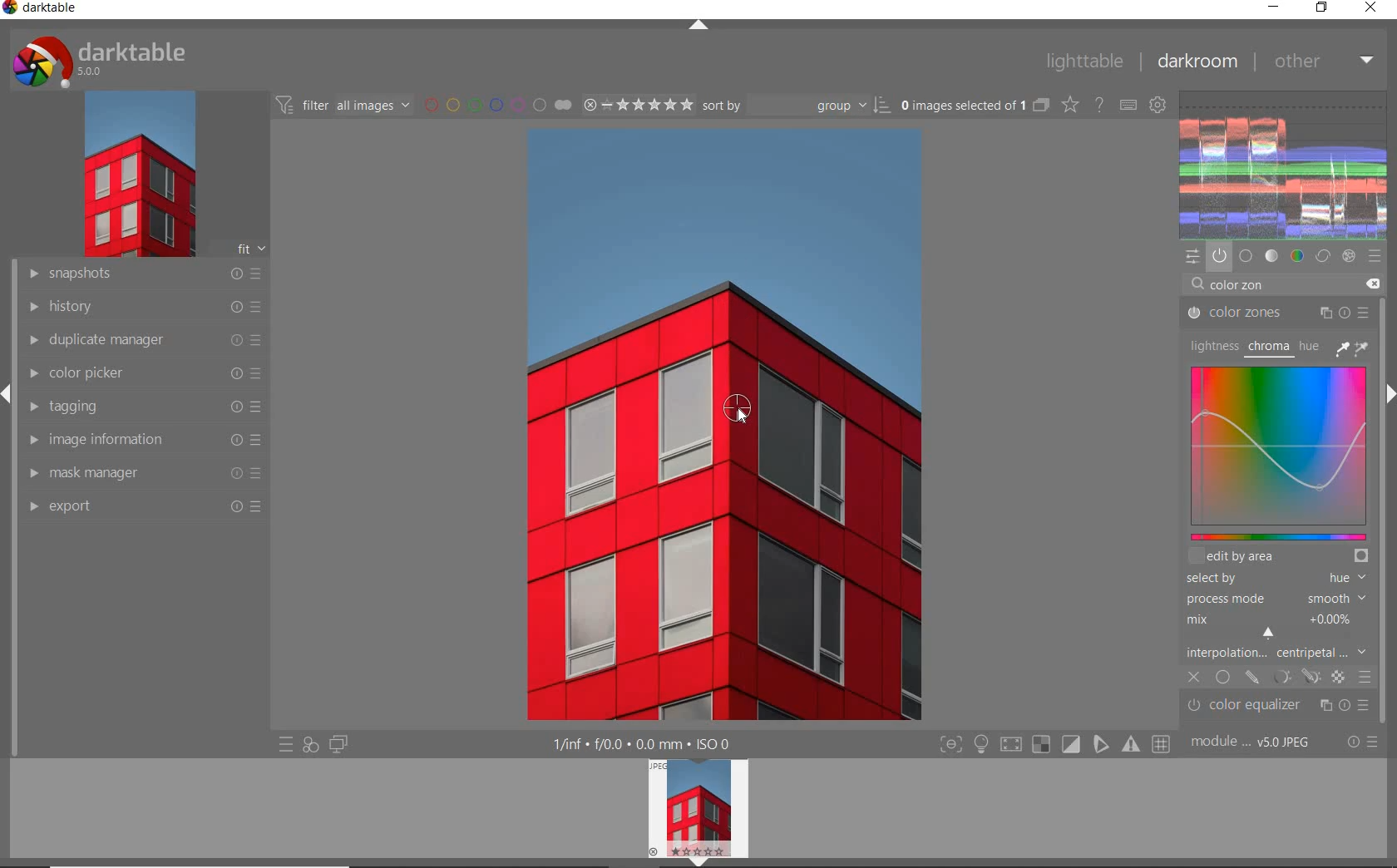  Describe the element at coordinates (286, 746) in the screenshot. I see `quick access to presets` at that location.